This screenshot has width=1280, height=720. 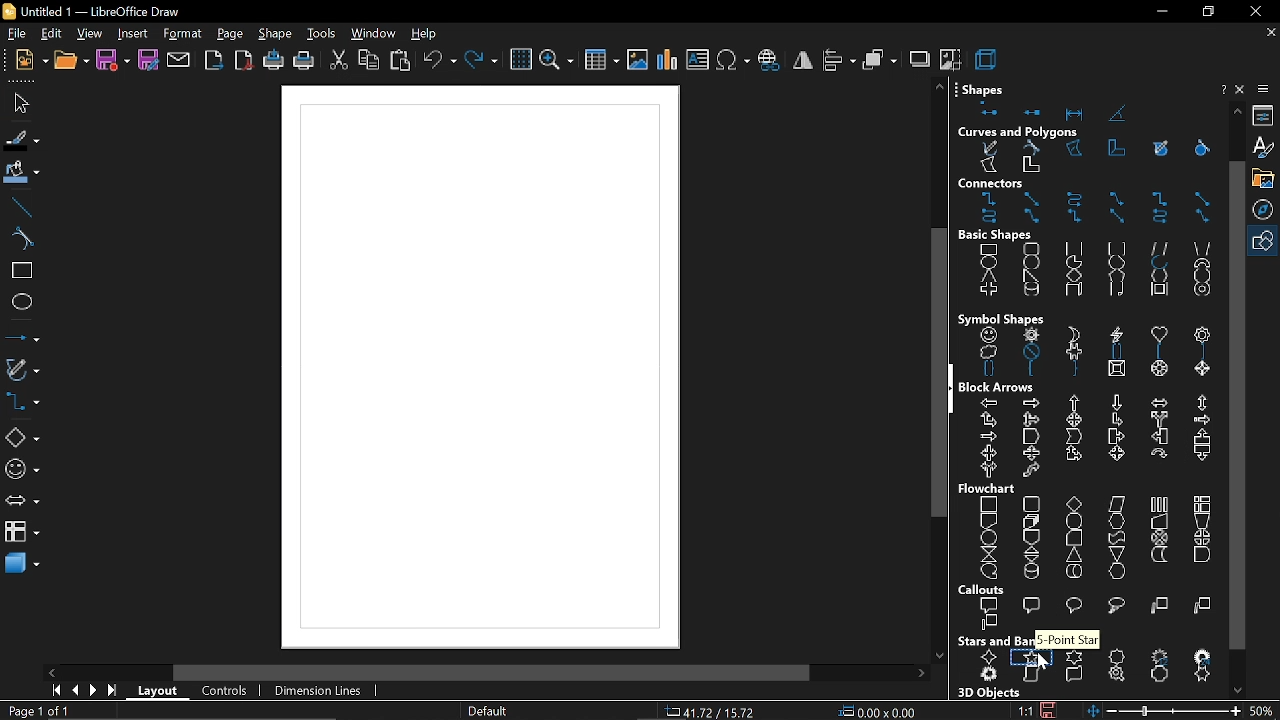 I want to click on change zoom, so click(x=1164, y=712).